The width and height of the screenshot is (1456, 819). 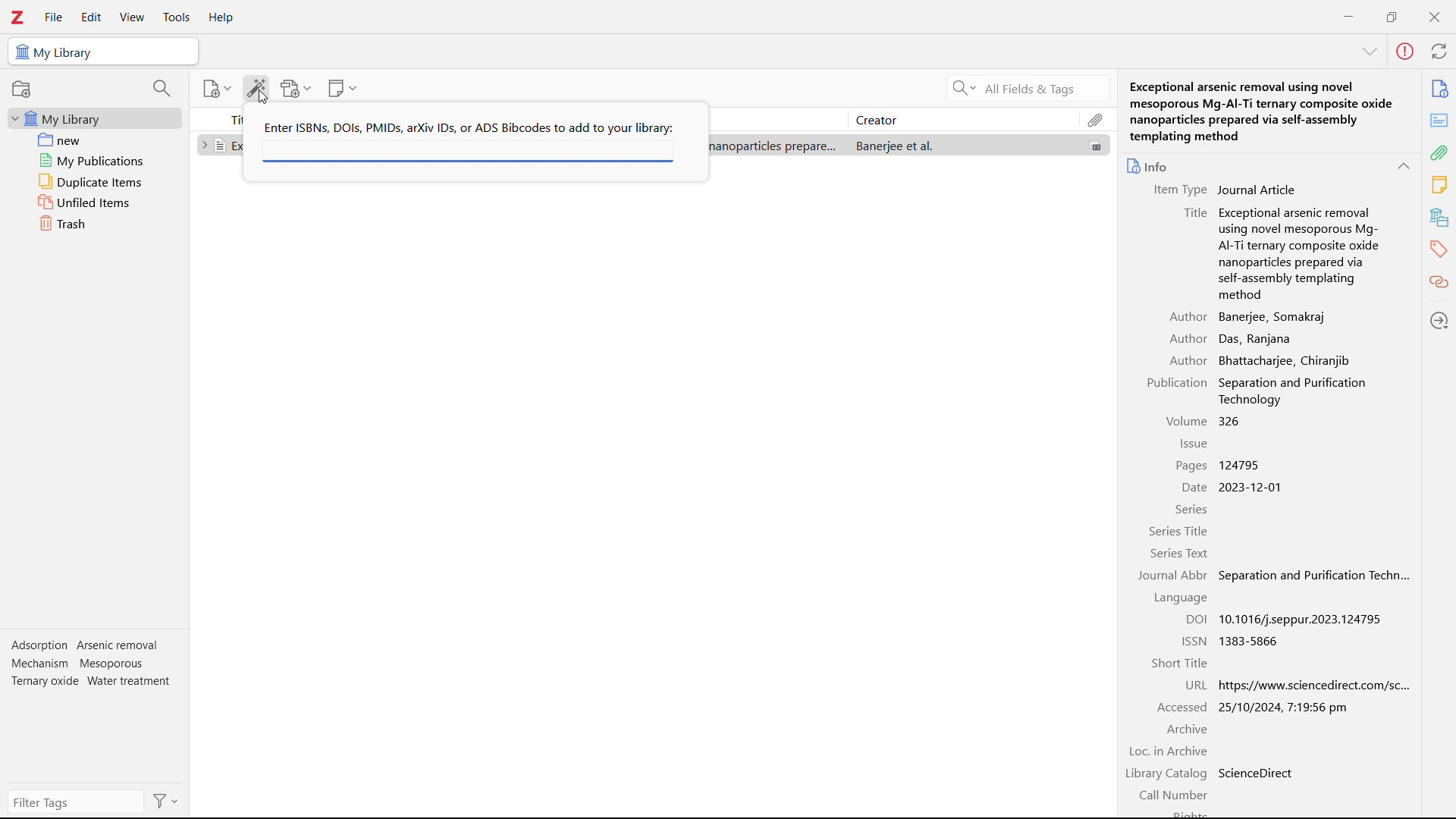 What do you see at coordinates (1185, 421) in the screenshot?
I see `volume` at bounding box center [1185, 421].